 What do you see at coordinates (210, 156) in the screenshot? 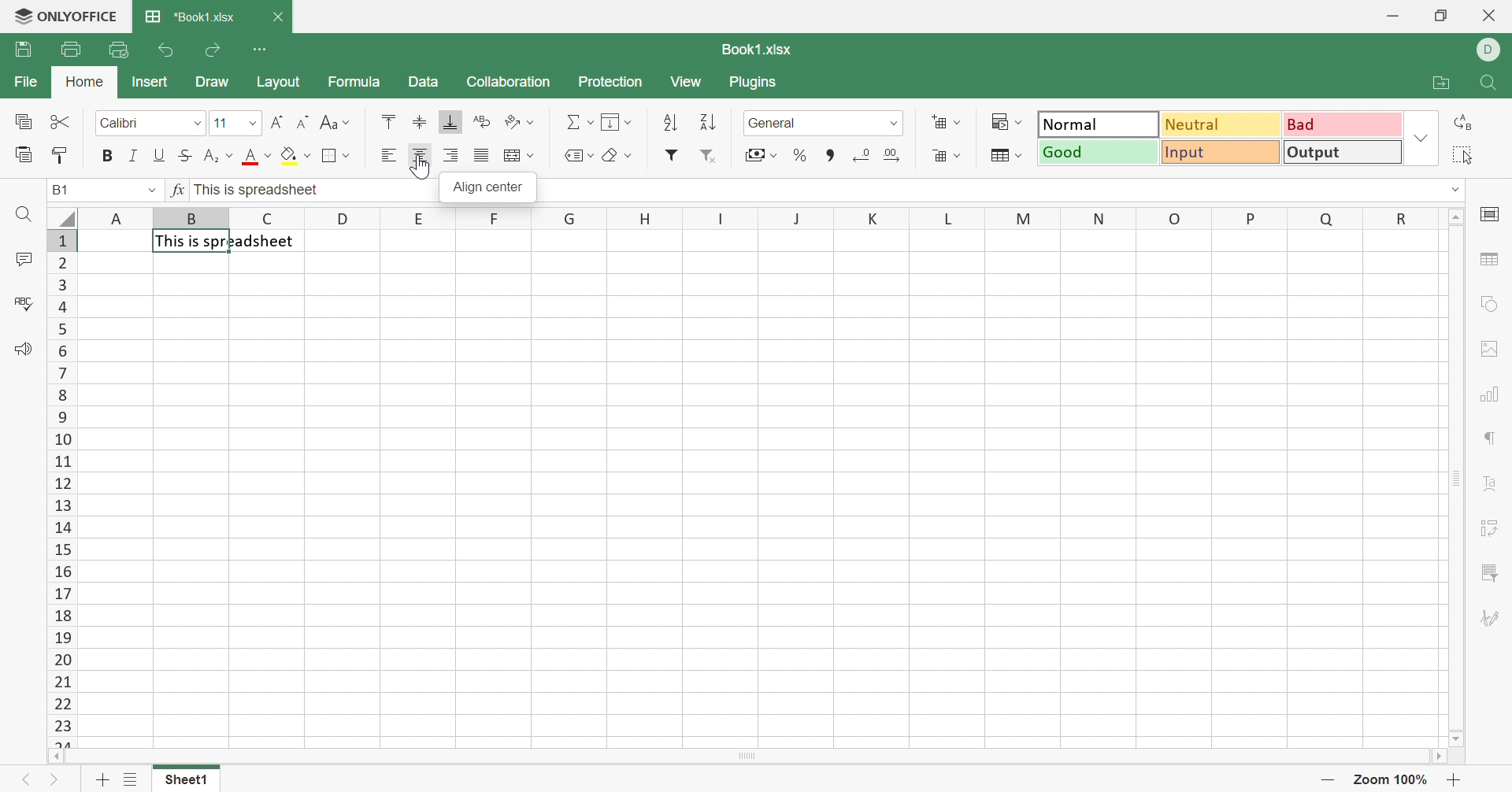
I see `Superscript/Subscript` at bounding box center [210, 156].